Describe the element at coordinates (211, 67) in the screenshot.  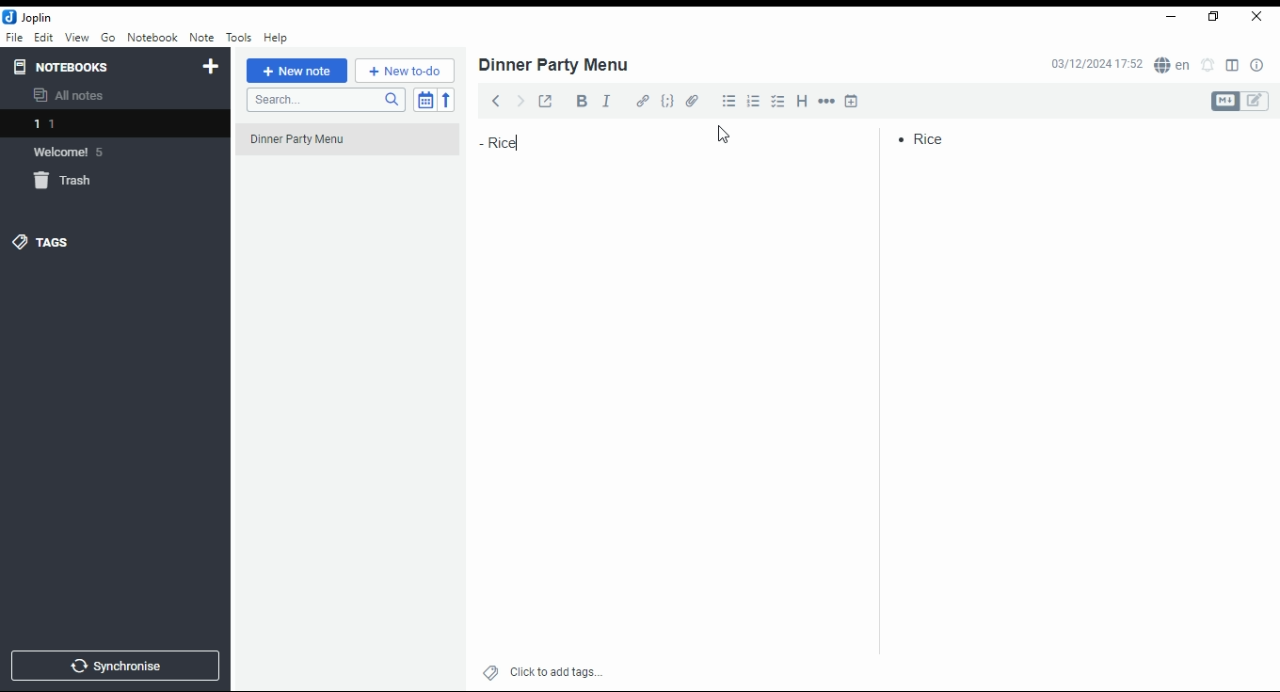
I see `new notebook` at that location.